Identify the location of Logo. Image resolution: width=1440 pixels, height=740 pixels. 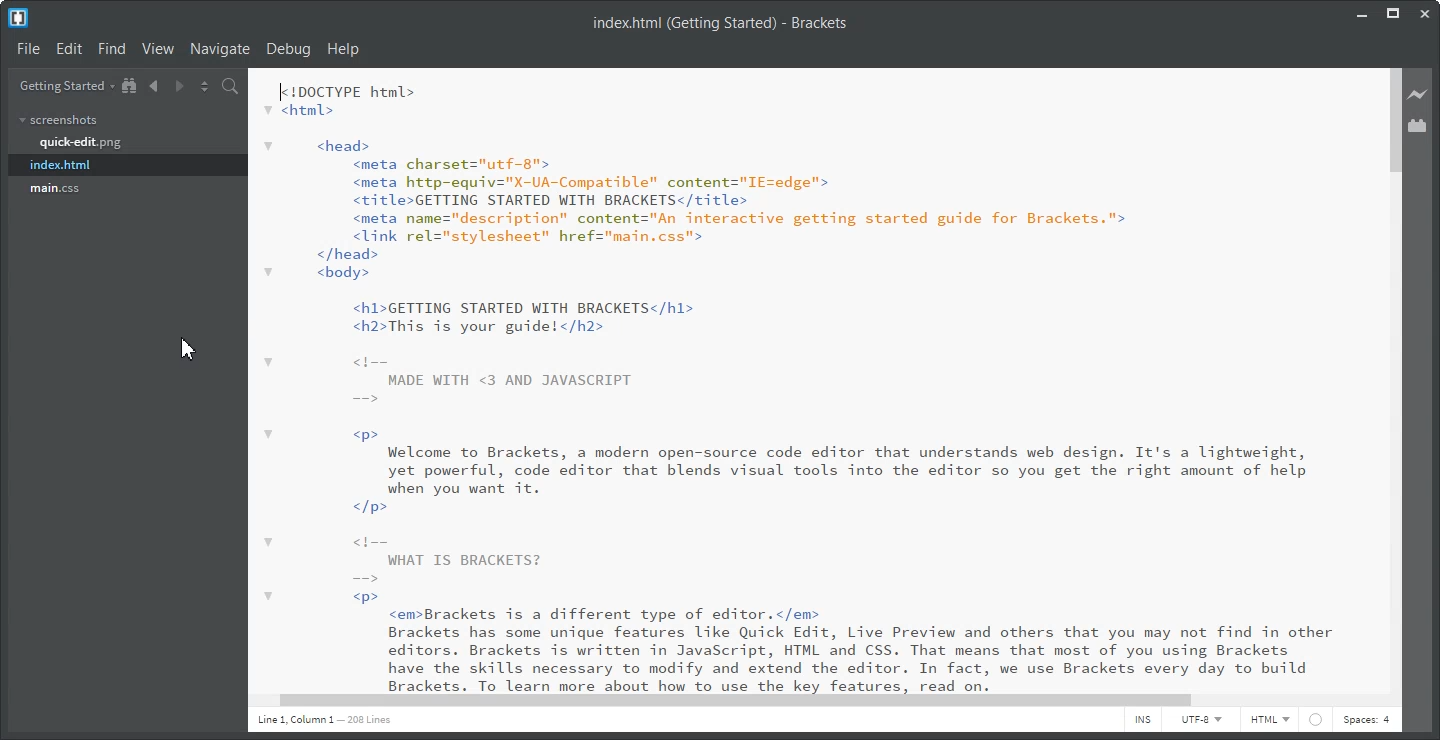
(18, 18).